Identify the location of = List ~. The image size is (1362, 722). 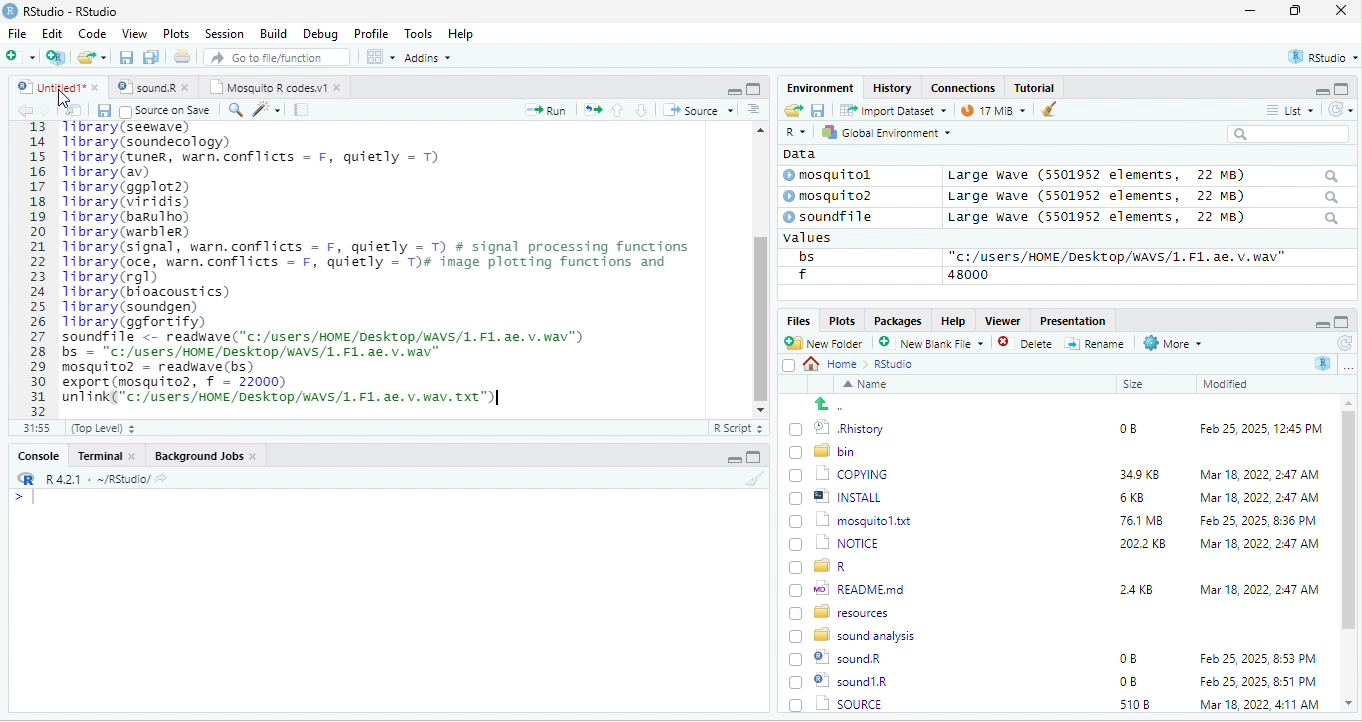
(1286, 110).